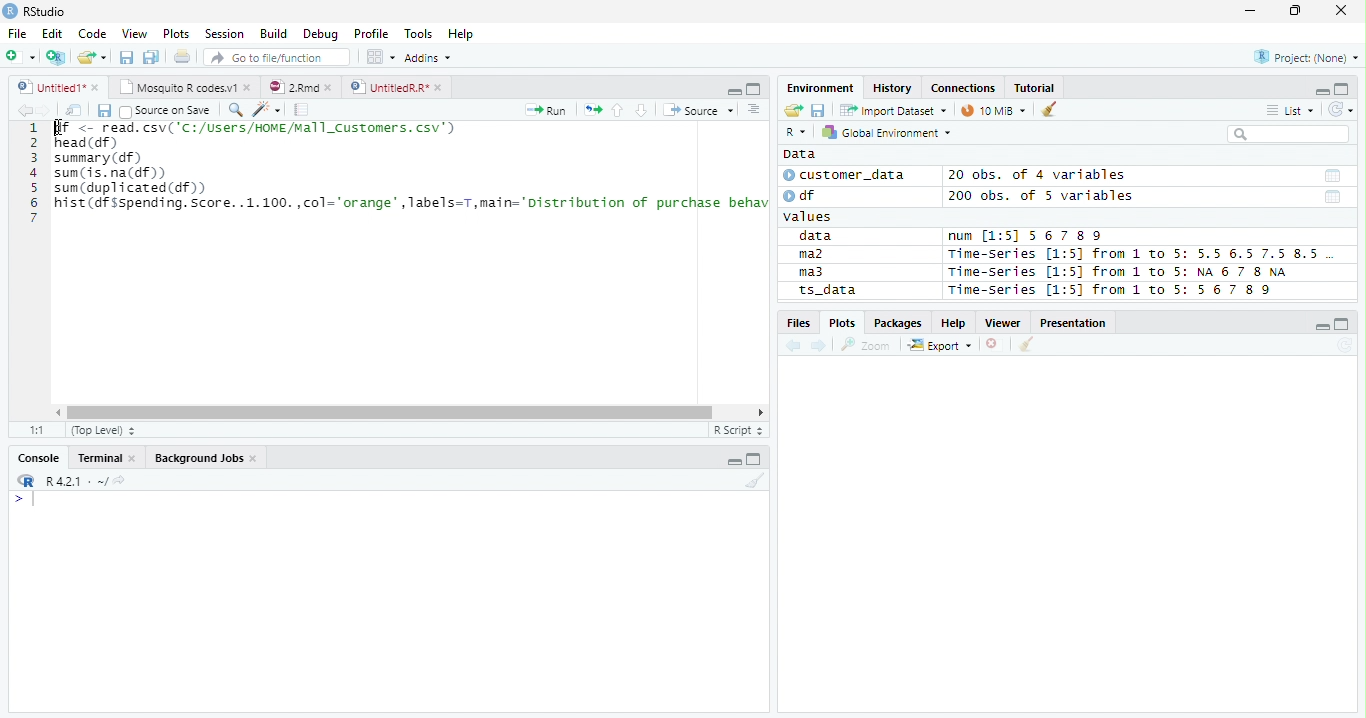 The width and height of the screenshot is (1366, 718). Describe the element at coordinates (176, 34) in the screenshot. I see `Plots` at that location.